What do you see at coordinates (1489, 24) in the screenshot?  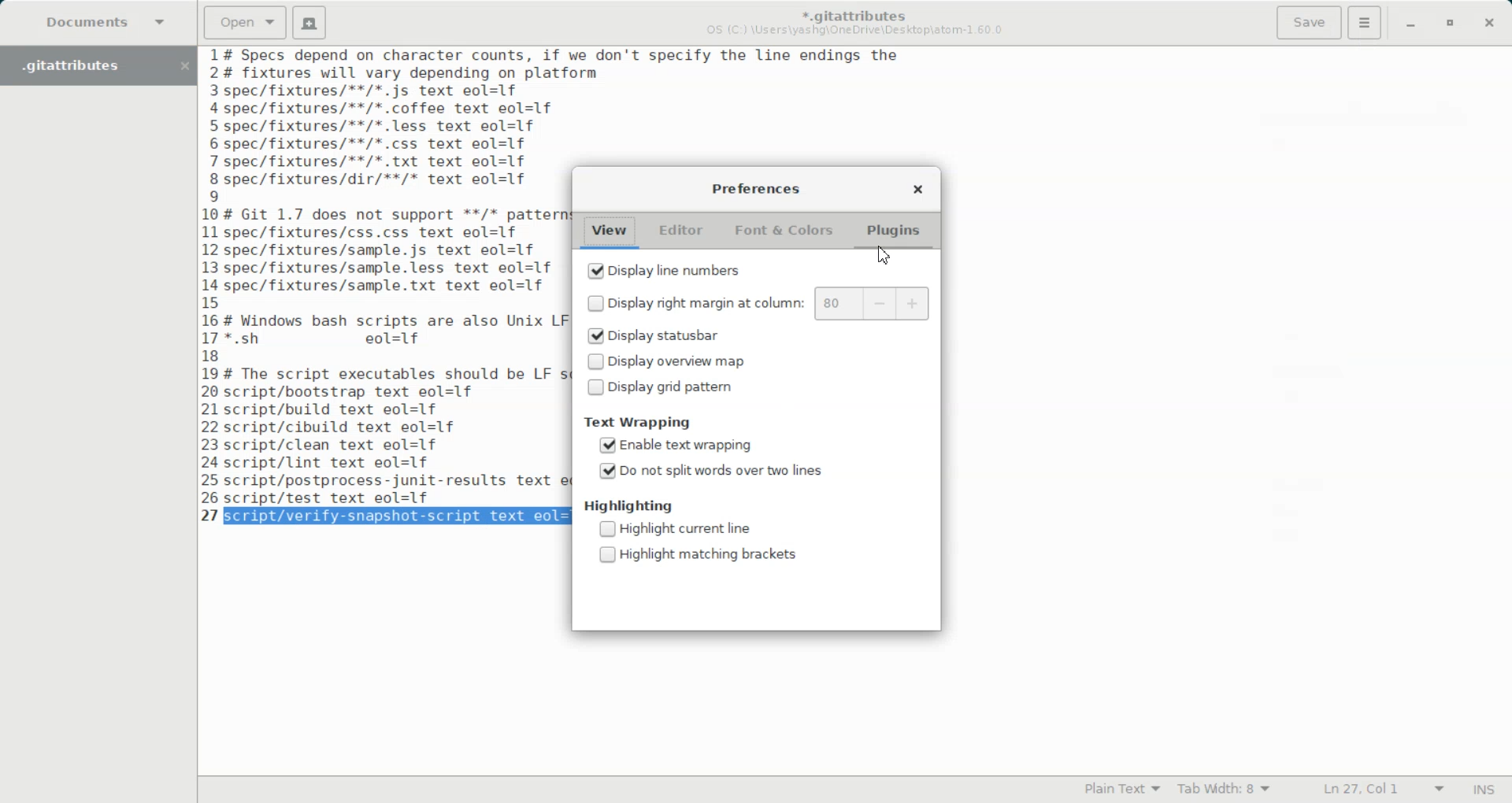 I see `Close` at bounding box center [1489, 24].